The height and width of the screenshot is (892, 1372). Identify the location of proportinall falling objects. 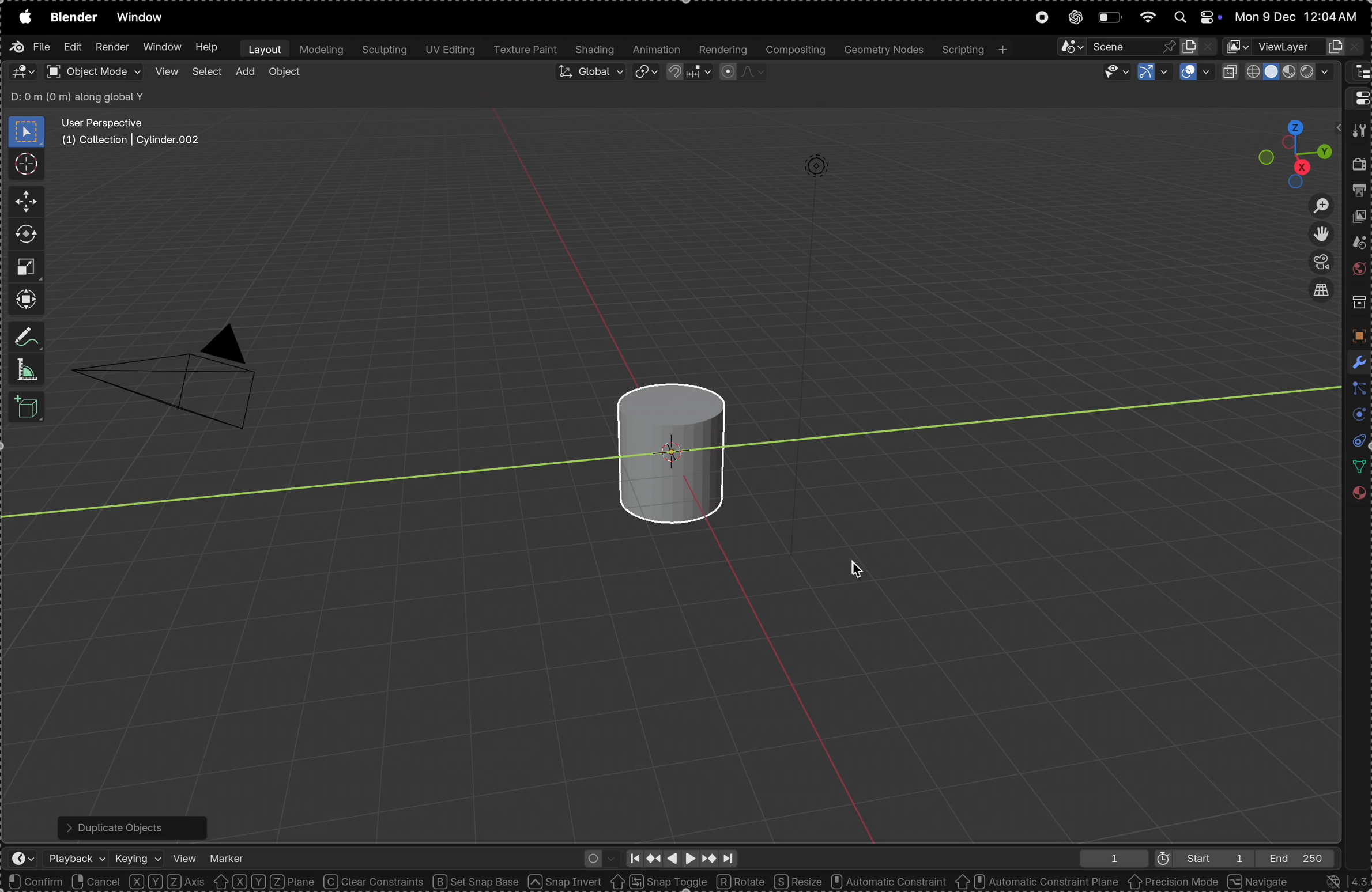
(737, 72).